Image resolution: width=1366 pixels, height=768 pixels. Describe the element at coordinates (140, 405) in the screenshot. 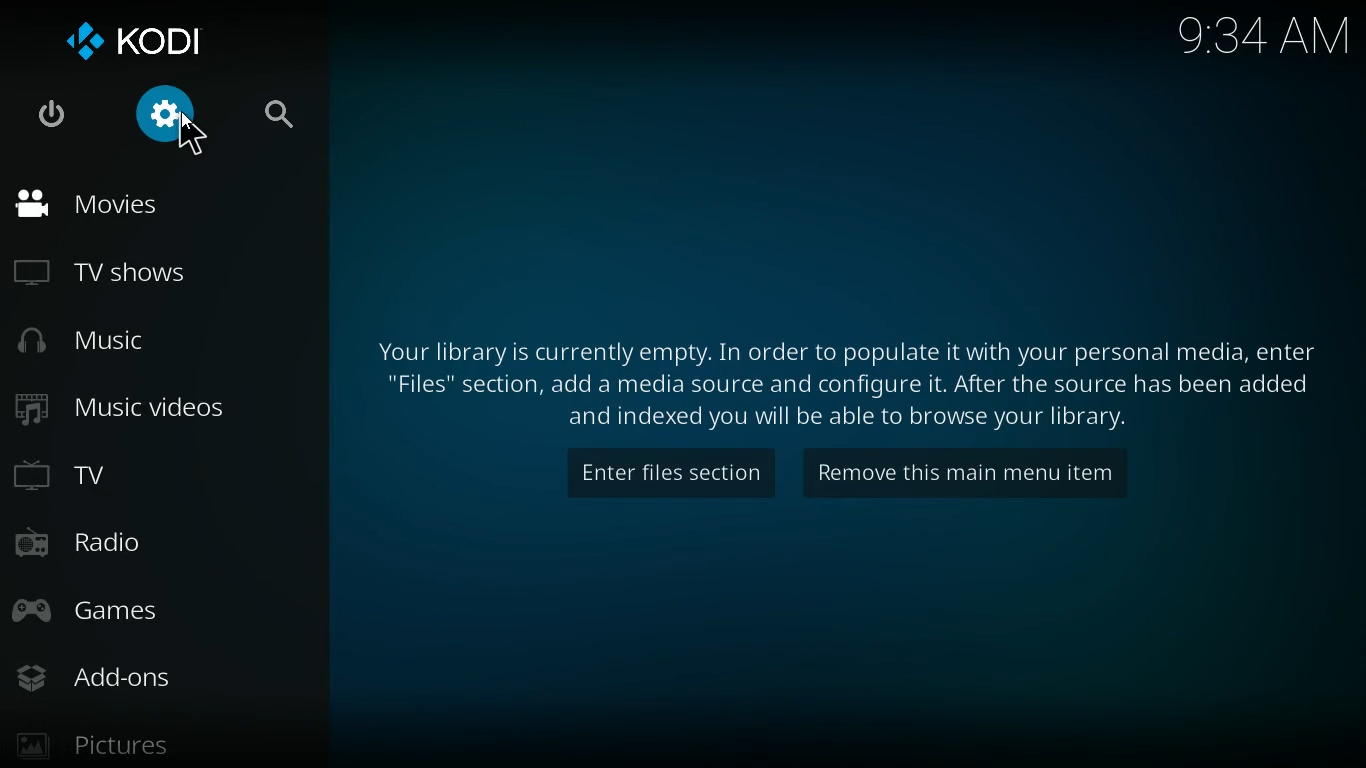

I see `music videos` at that location.